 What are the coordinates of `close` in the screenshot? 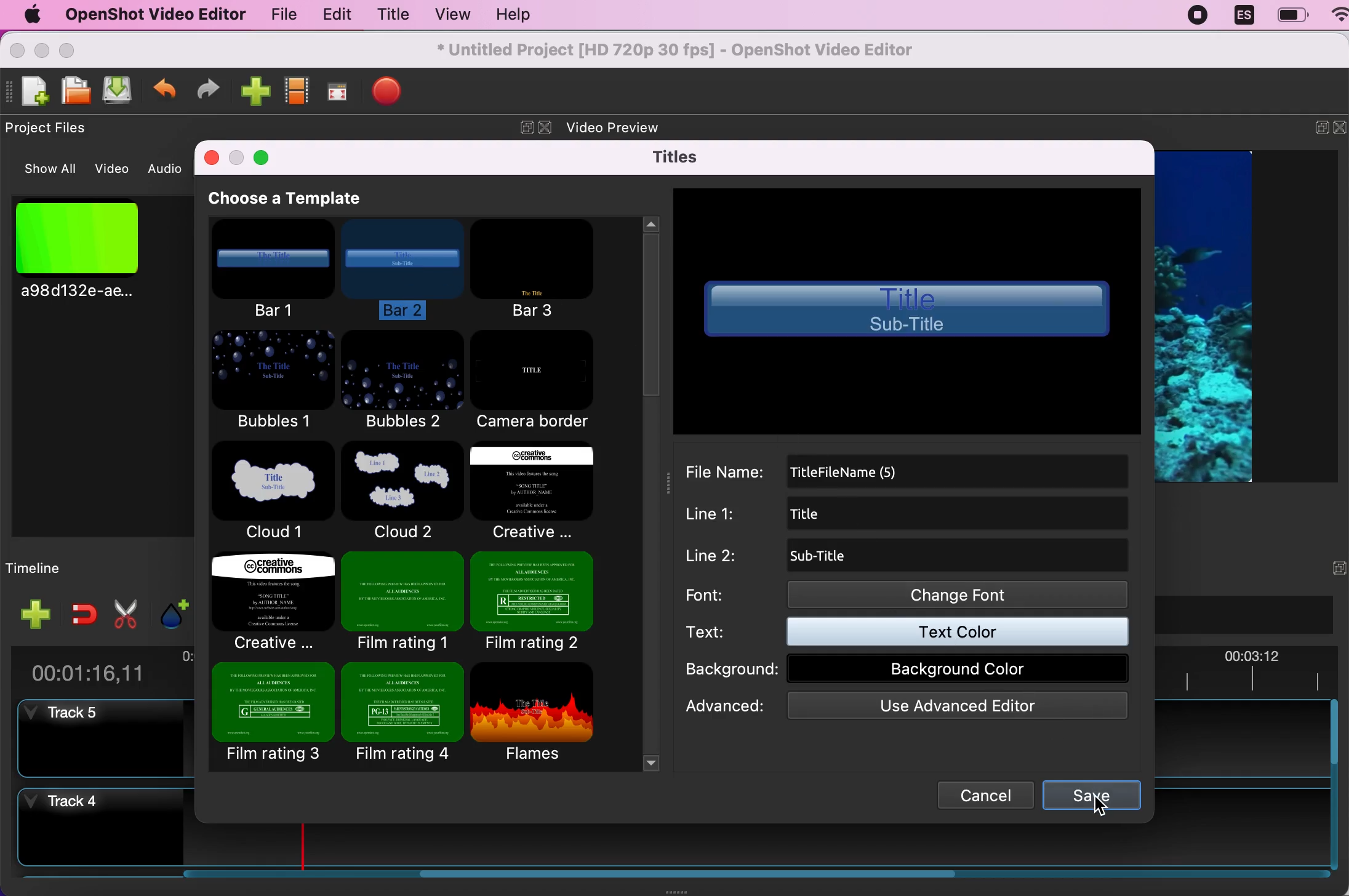 It's located at (545, 128).